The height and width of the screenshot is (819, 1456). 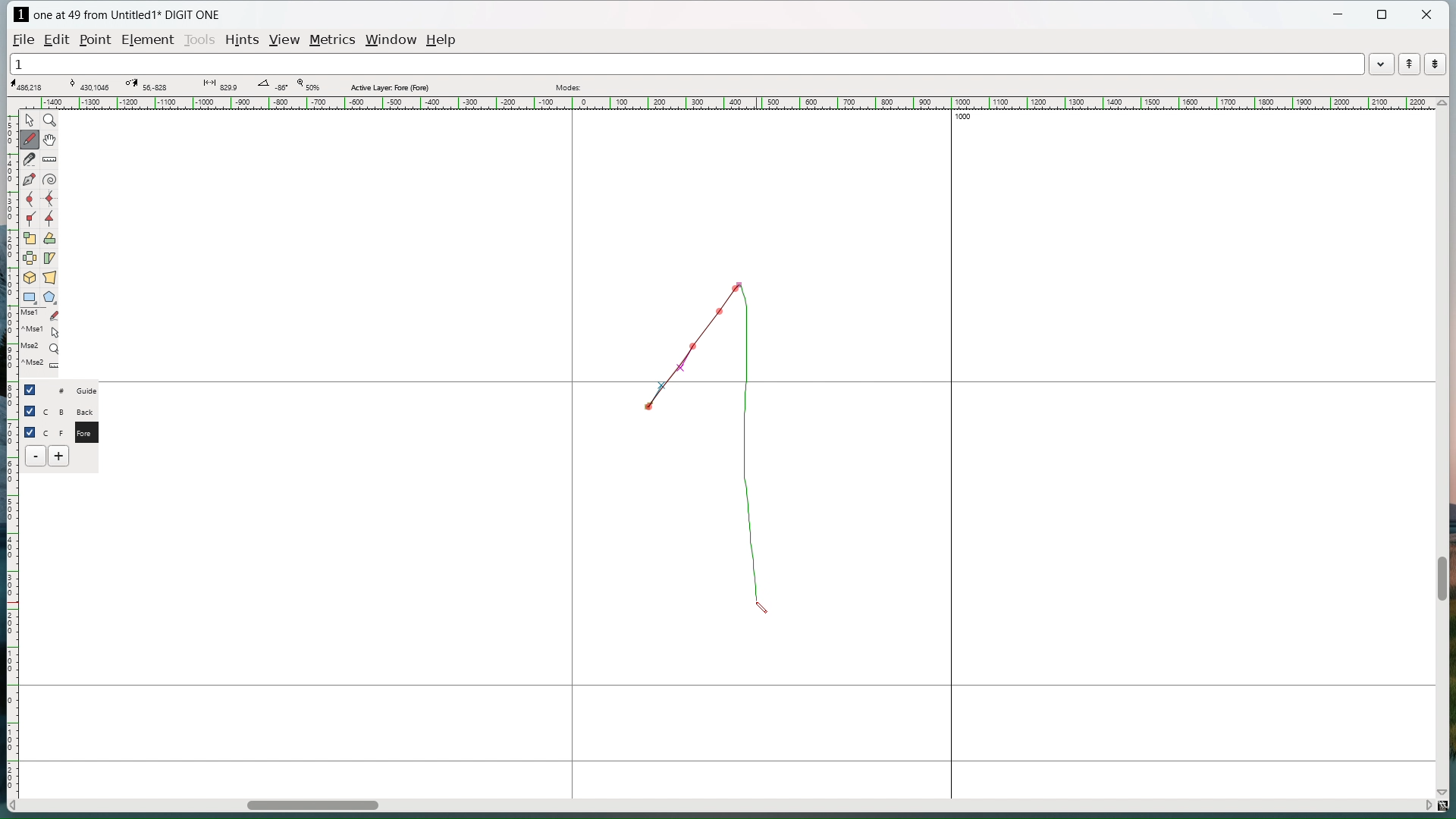 What do you see at coordinates (98, 39) in the screenshot?
I see `Point` at bounding box center [98, 39].